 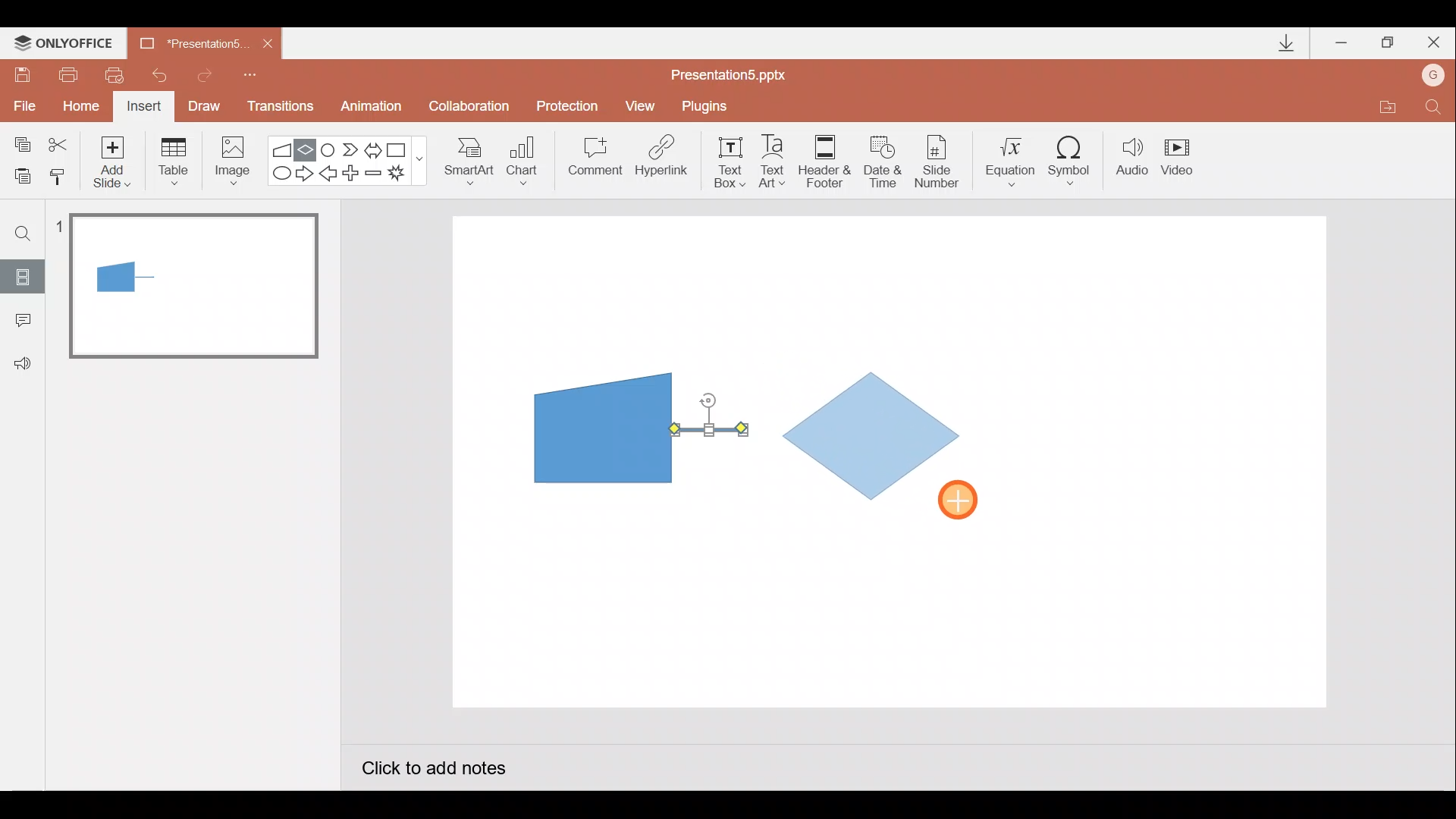 I want to click on Copy, so click(x=20, y=142).